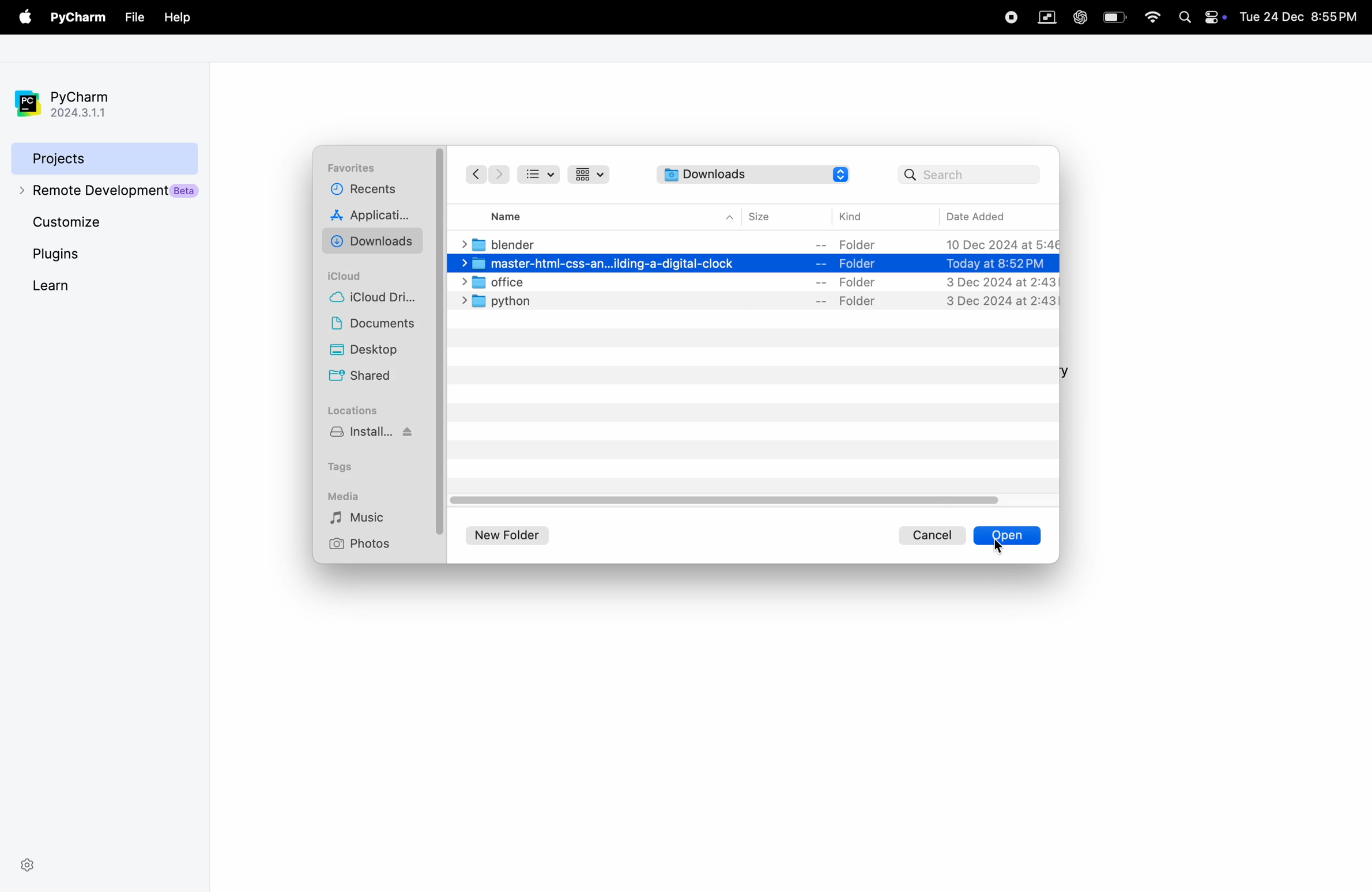  I want to click on list view, so click(543, 173).